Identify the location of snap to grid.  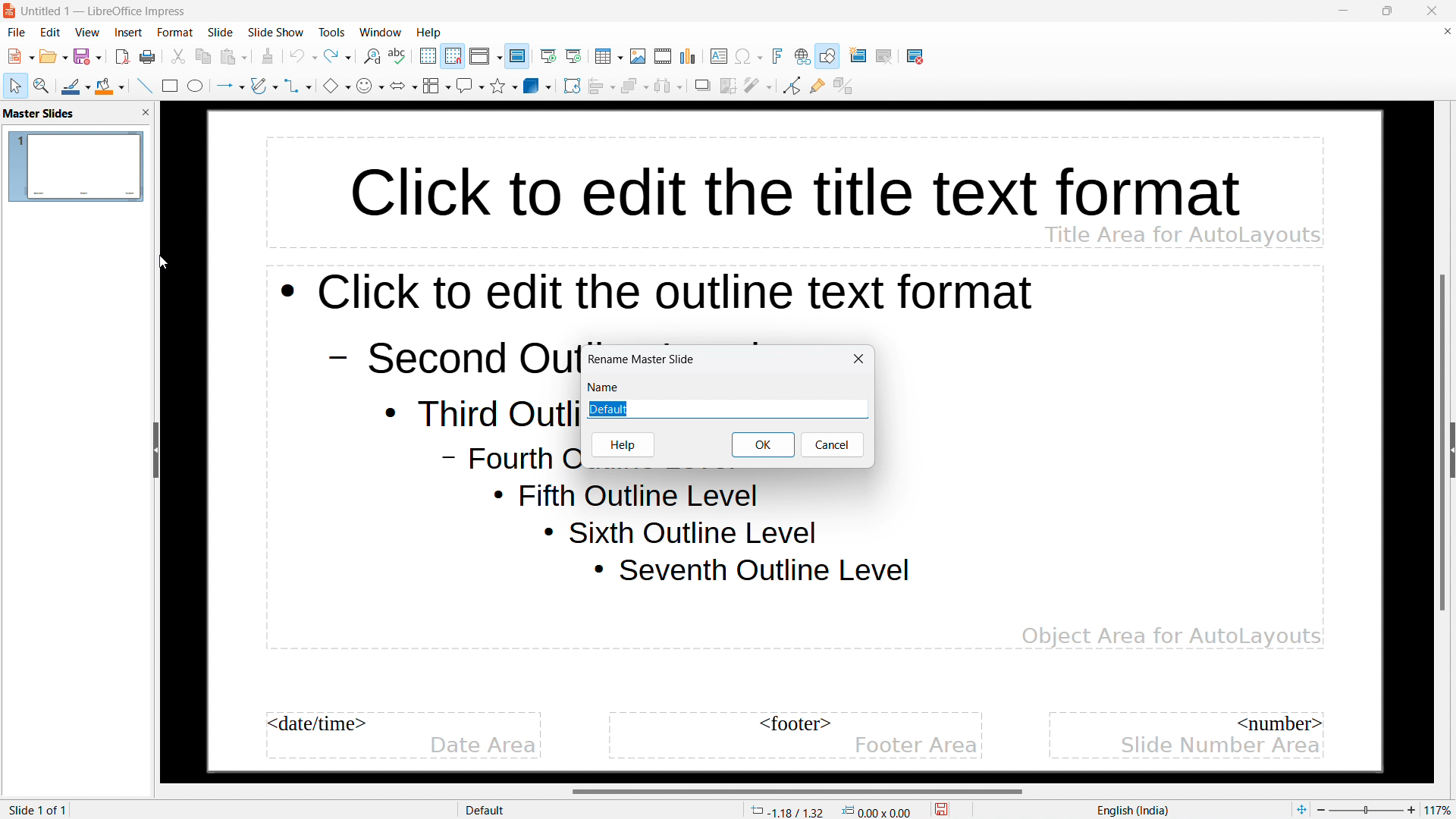
(453, 56).